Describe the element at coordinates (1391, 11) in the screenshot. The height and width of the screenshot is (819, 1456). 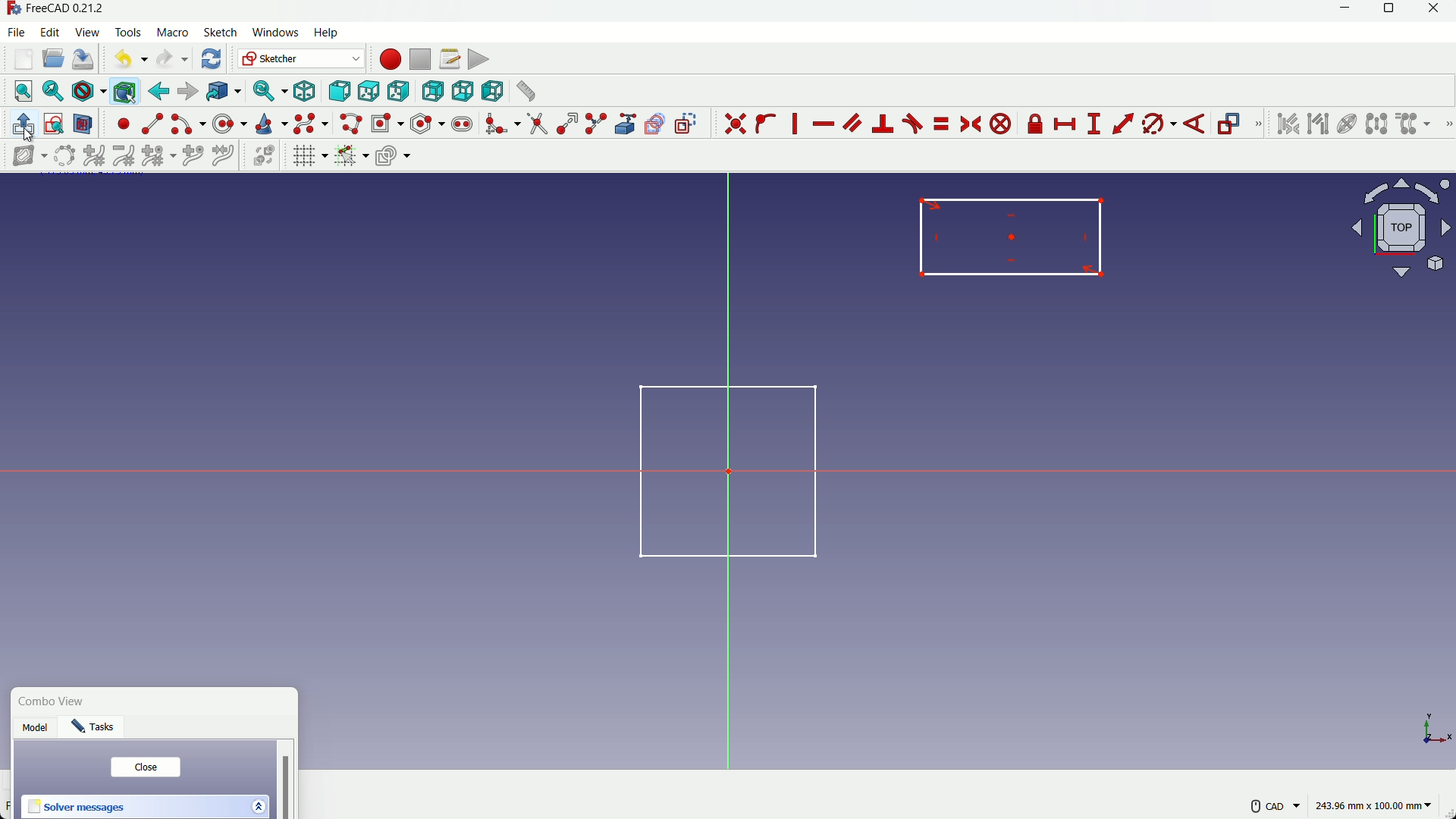
I see `maximize or restore` at that location.